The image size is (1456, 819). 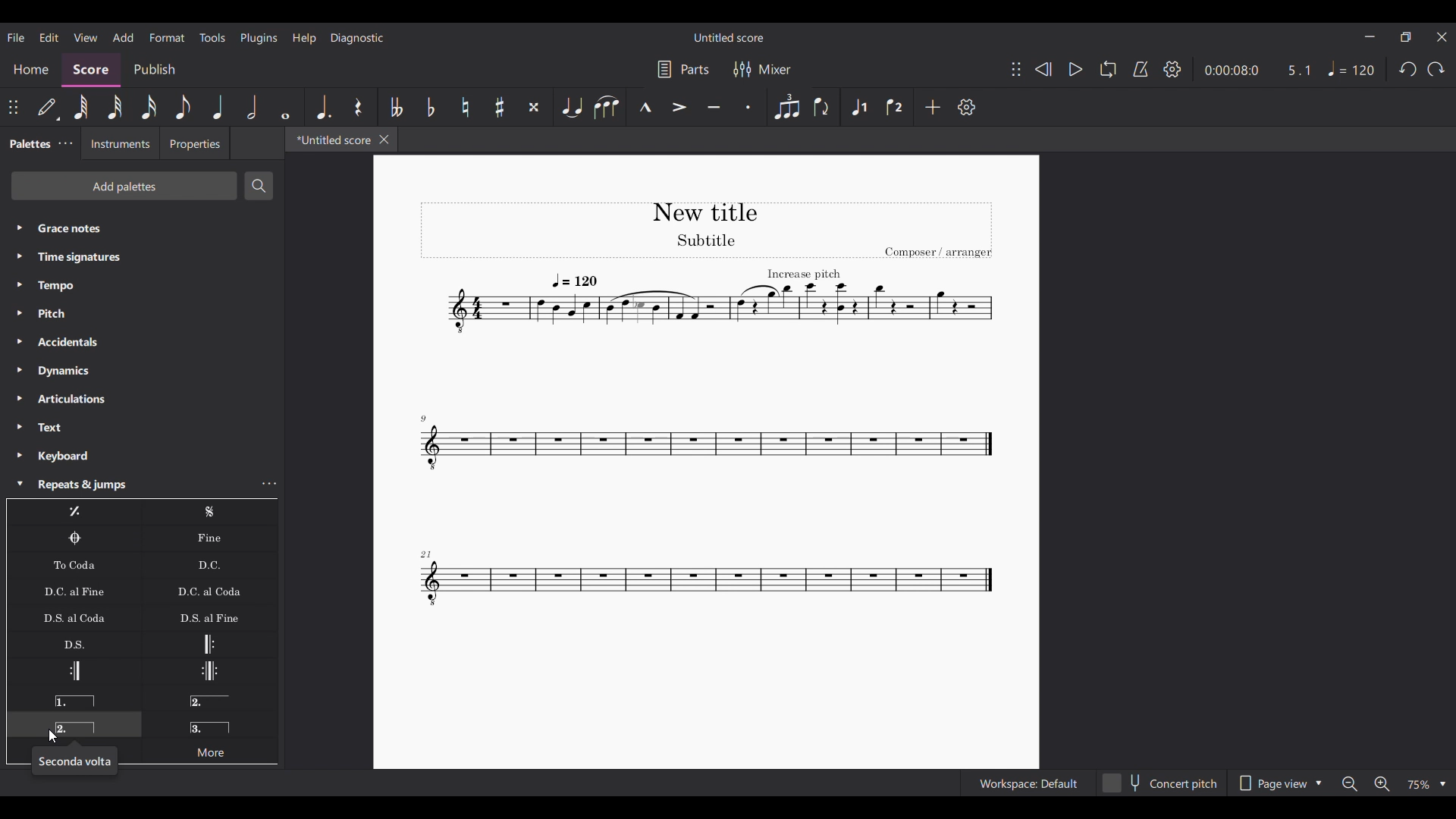 I want to click on Change position, so click(x=13, y=107).